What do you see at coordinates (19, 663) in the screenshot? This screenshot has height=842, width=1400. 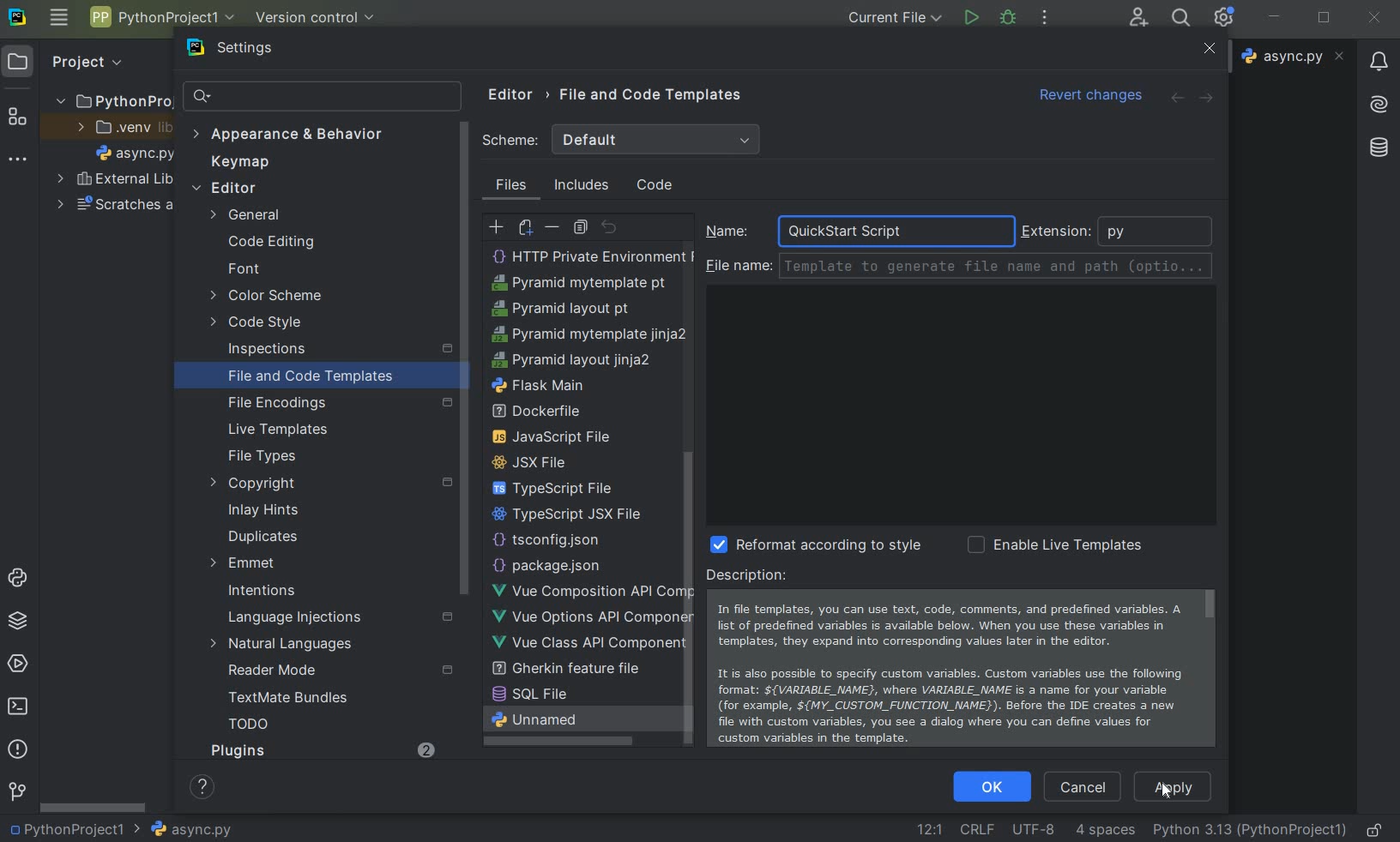 I see `services` at bounding box center [19, 663].